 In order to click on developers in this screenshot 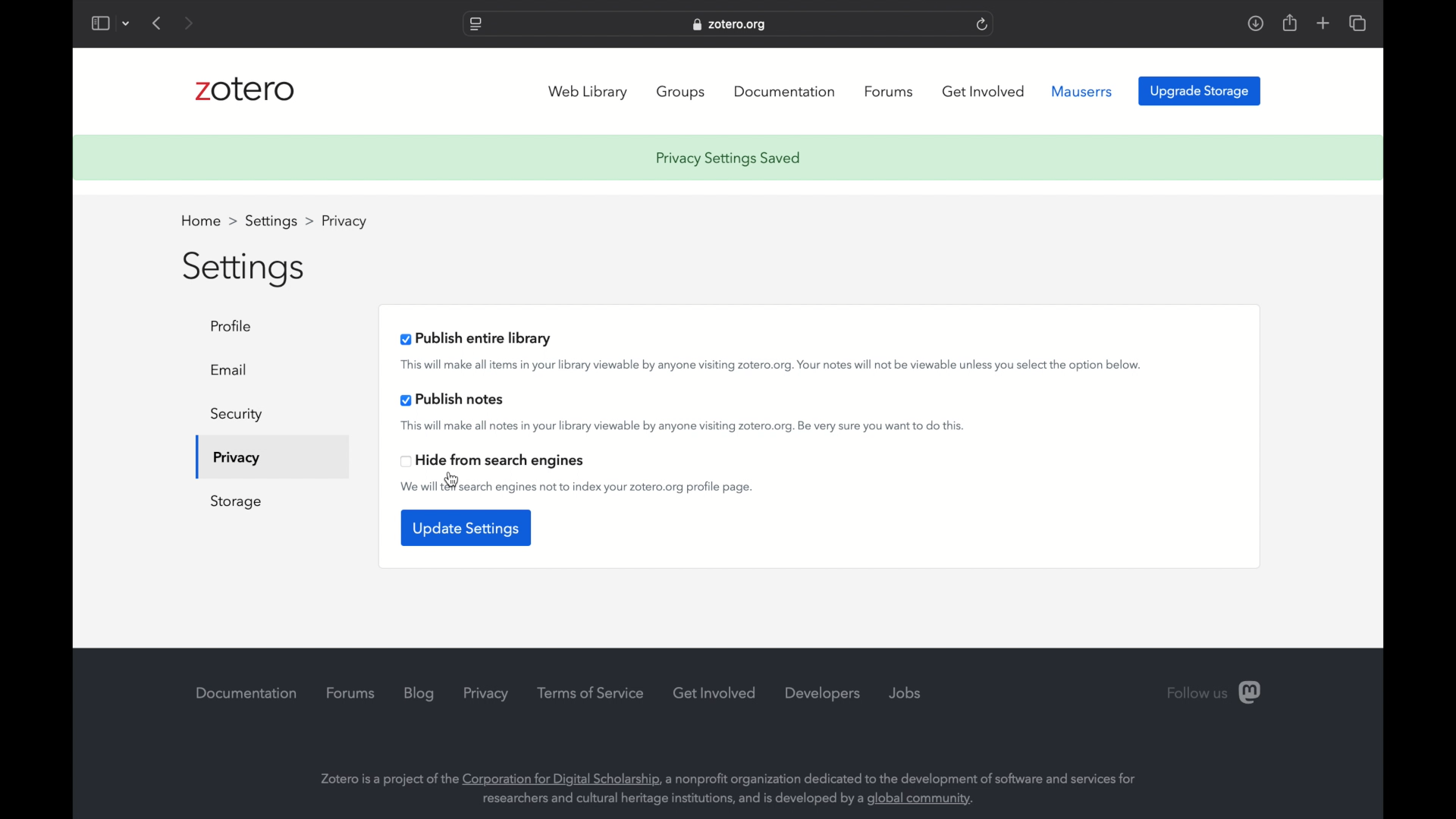, I will do `click(824, 690)`.